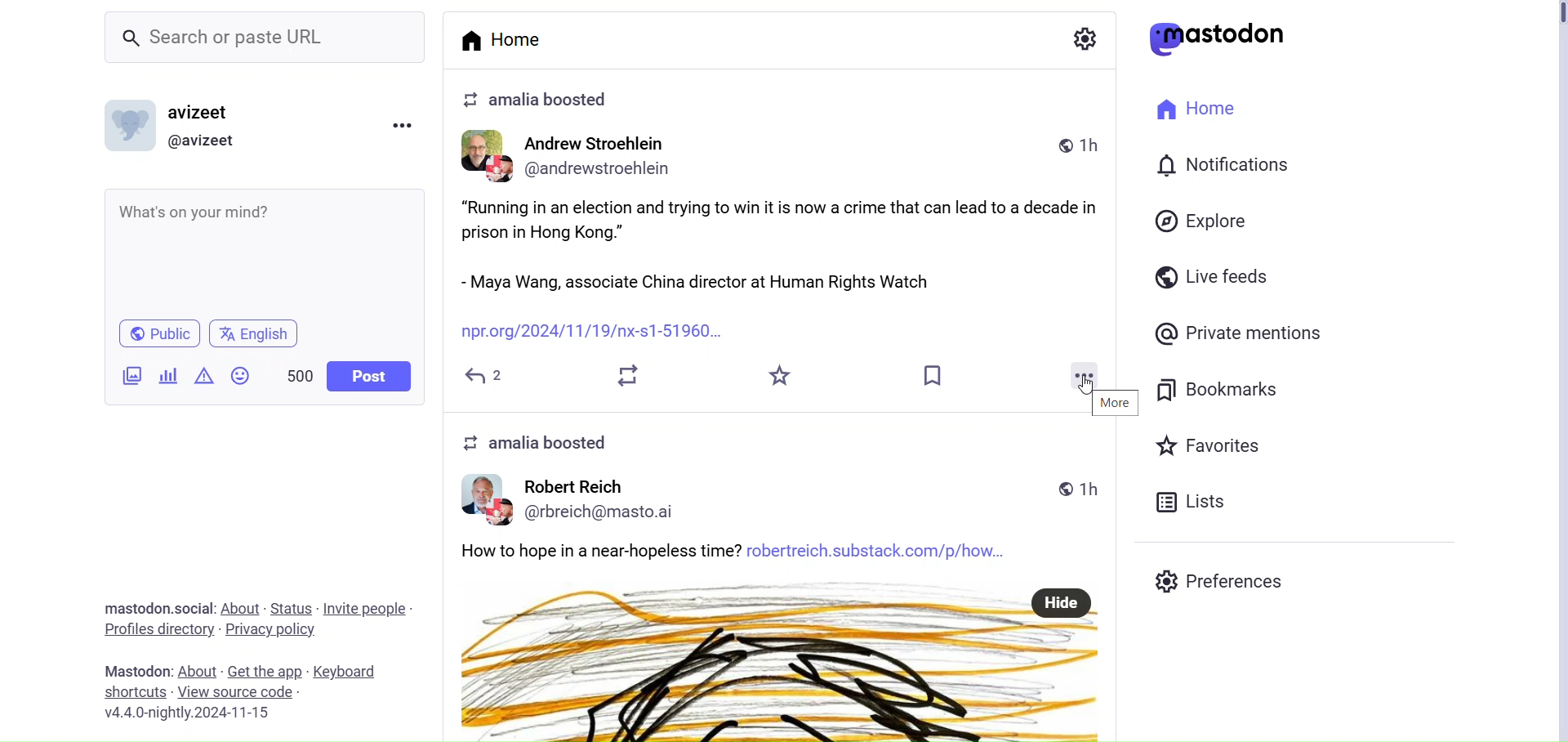 The width and height of the screenshot is (1568, 742). I want to click on Home, so click(1196, 107).